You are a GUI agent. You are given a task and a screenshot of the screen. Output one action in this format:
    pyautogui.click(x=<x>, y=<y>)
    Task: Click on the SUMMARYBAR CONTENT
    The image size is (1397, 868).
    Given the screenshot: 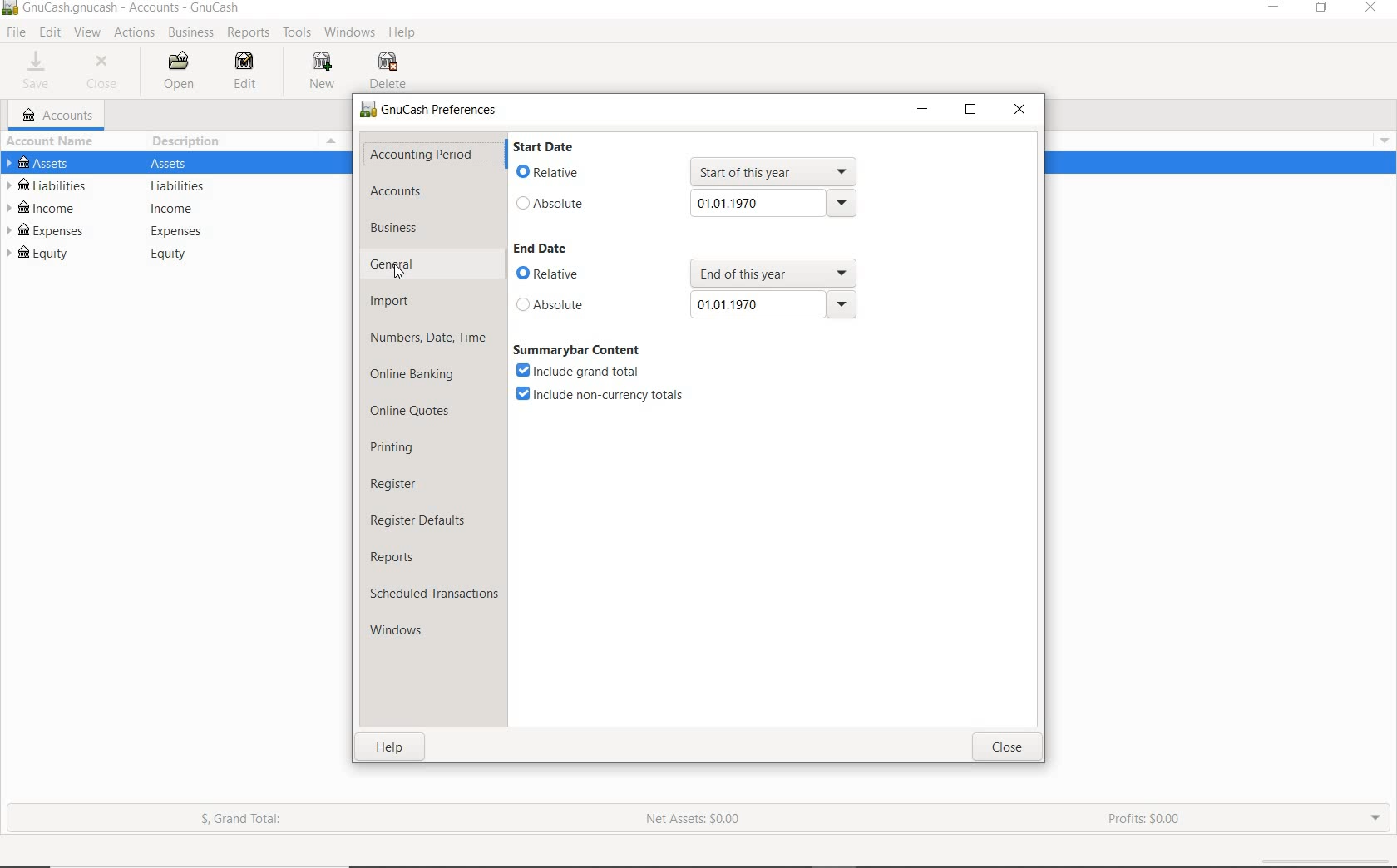 What is the action you would take?
    pyautogui.click(x=578, y=350)
    